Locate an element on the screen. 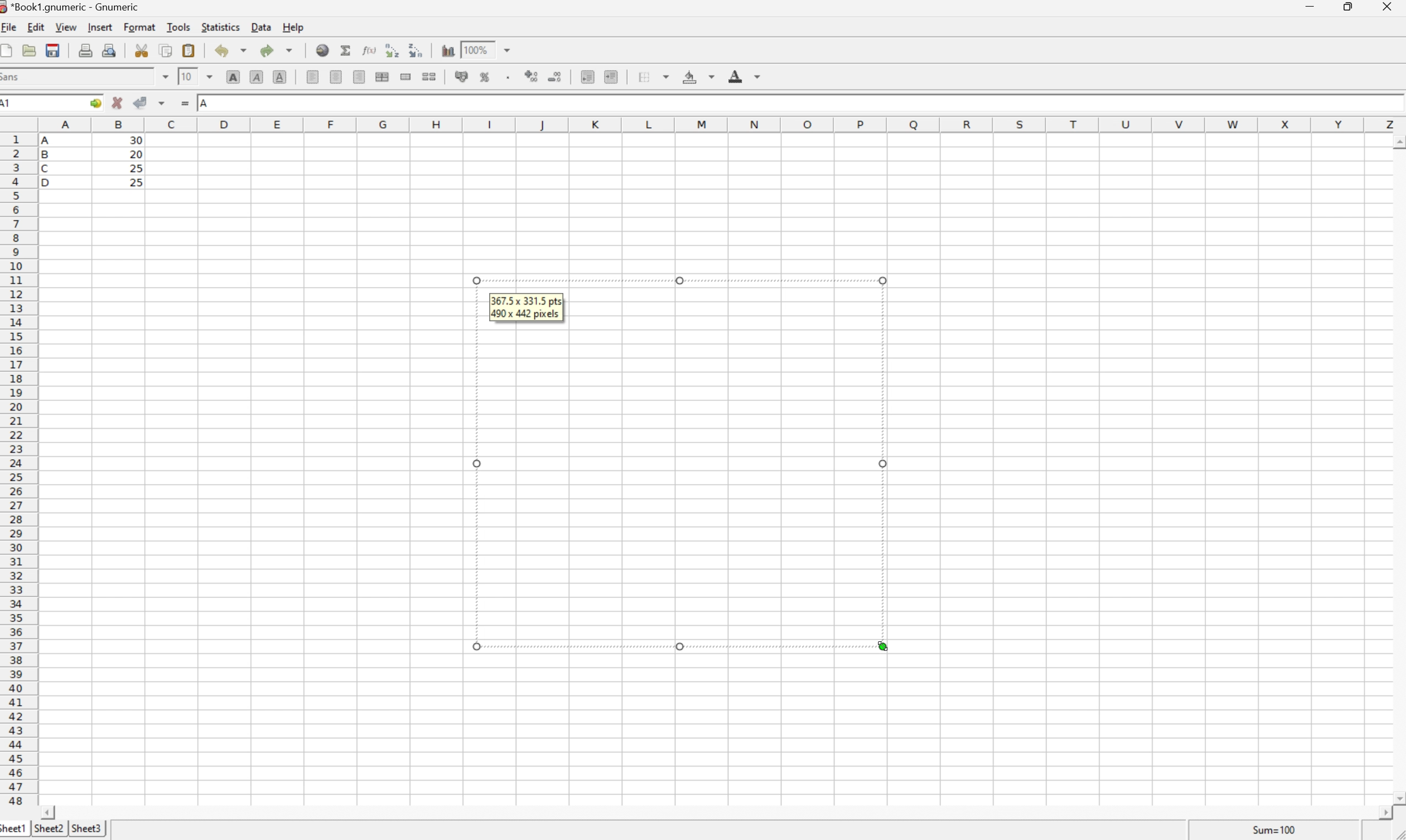 This screenshot has width=1406, height=840. Increase indent, and align the contents to the left is located at coordinates (614, 77).